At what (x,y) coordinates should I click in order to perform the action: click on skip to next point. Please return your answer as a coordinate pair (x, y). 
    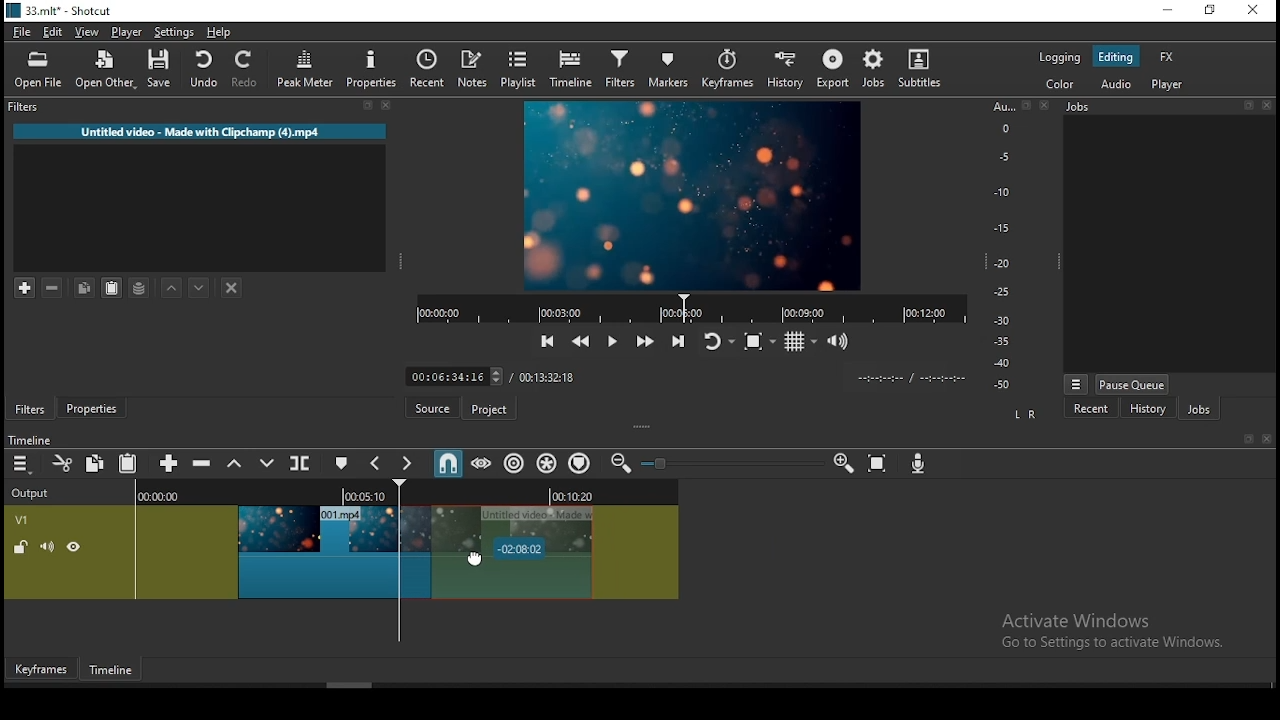
    Looking at the image, I should click on (675, 341).